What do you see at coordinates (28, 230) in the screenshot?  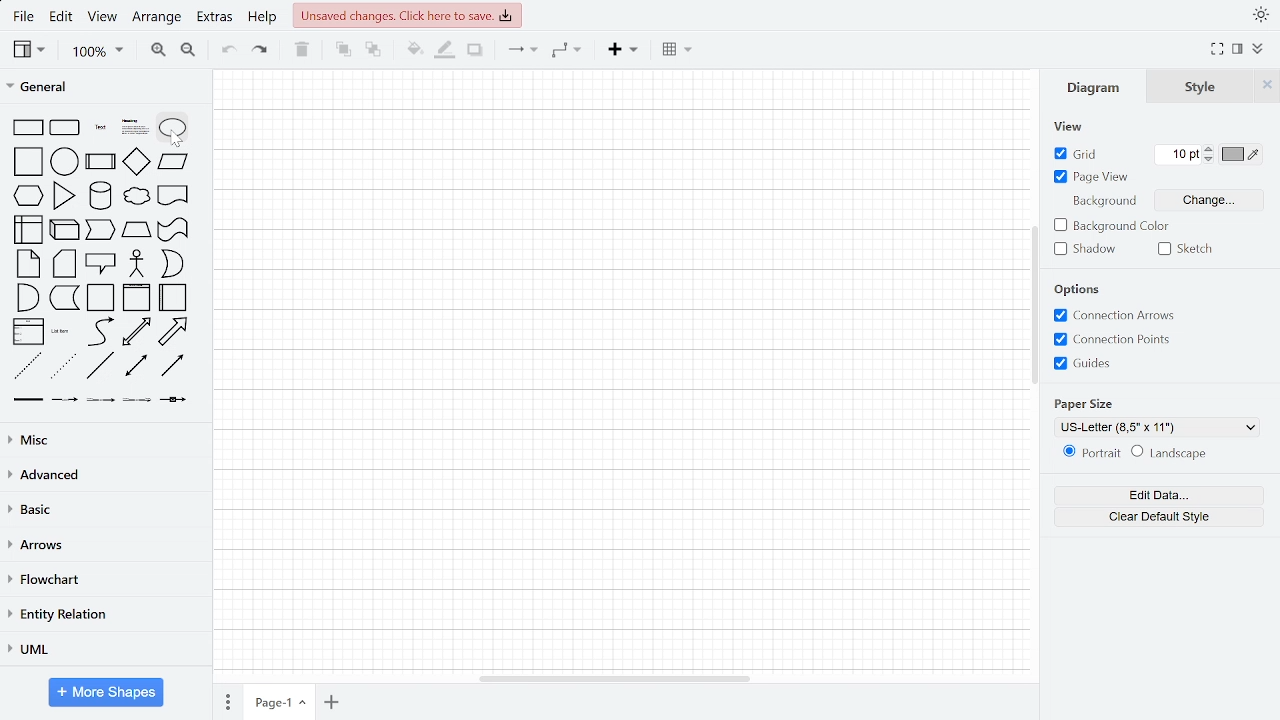 I see `internal storage` at bounding box center [28, 230].